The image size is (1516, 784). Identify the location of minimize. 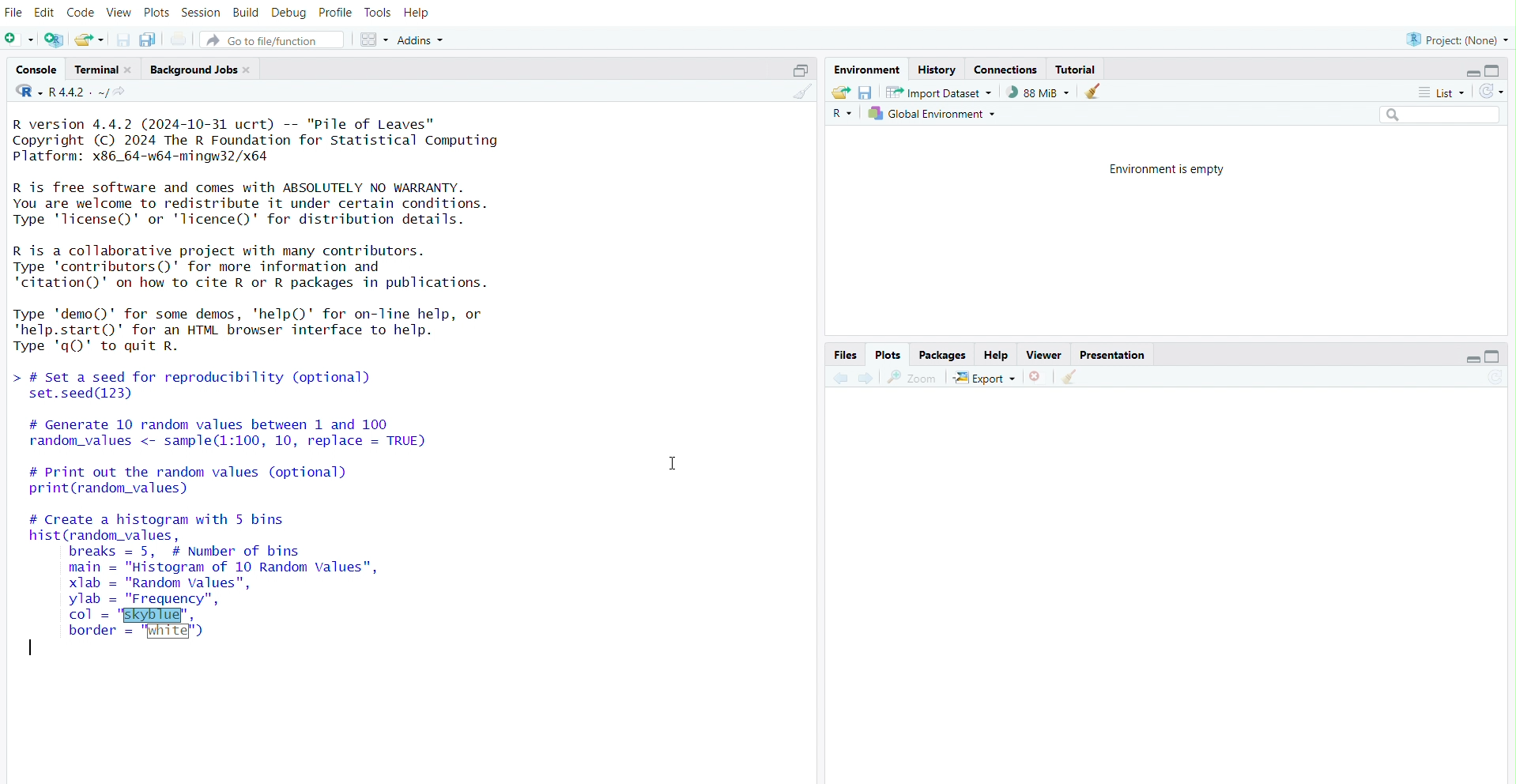
(1465, 70).